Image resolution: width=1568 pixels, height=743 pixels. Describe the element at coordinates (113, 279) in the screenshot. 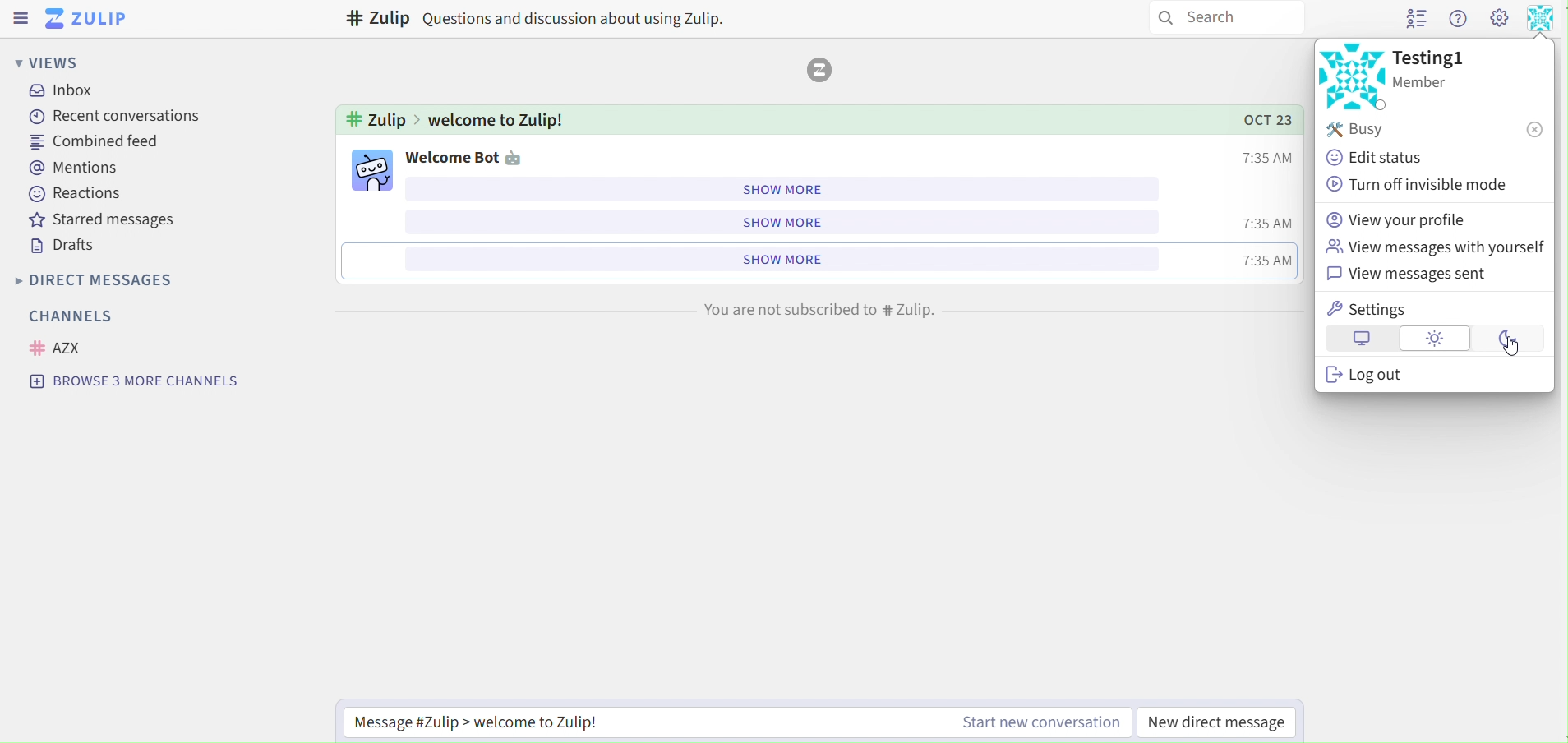

I see `direct messages` at that location.